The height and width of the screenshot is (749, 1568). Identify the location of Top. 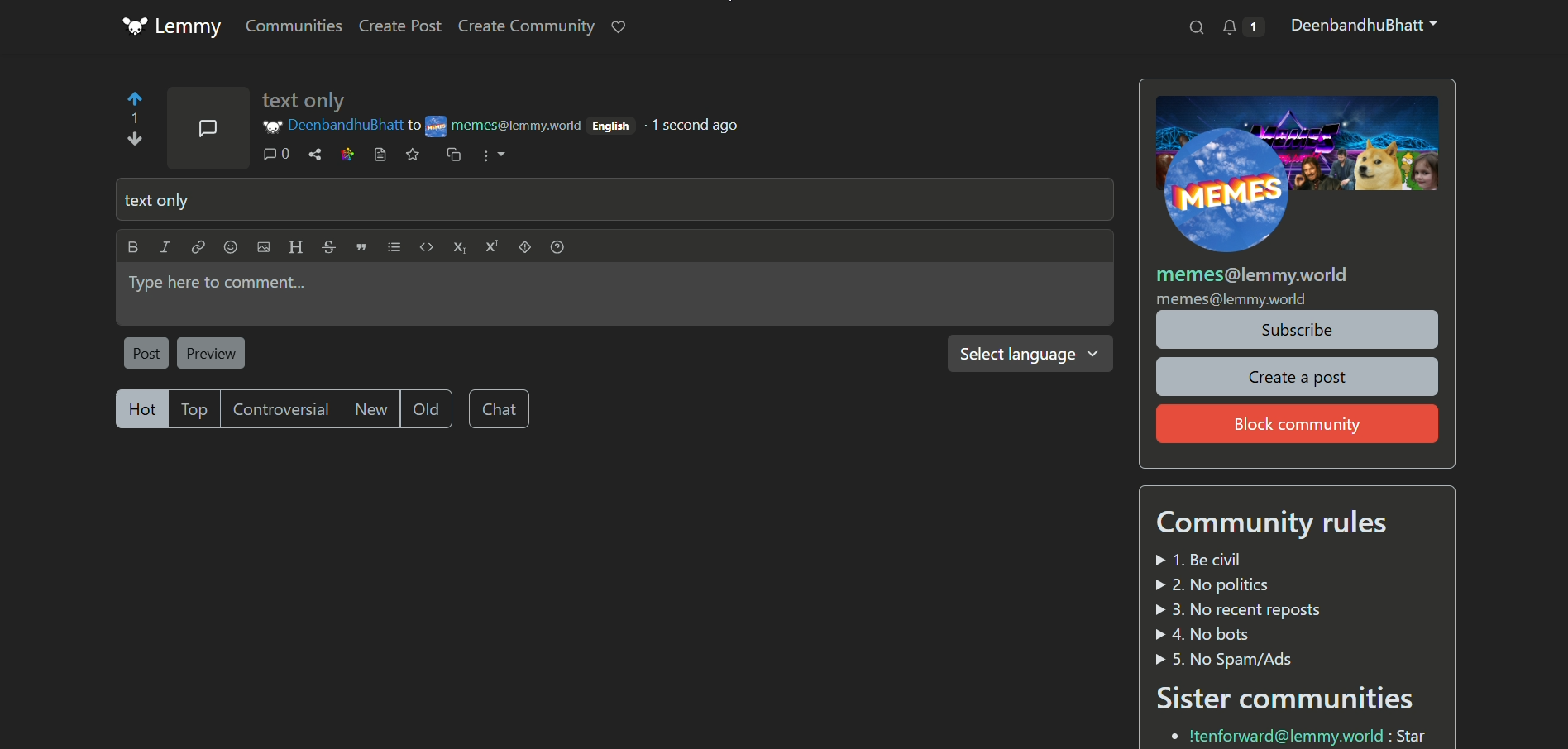
(197, 409).